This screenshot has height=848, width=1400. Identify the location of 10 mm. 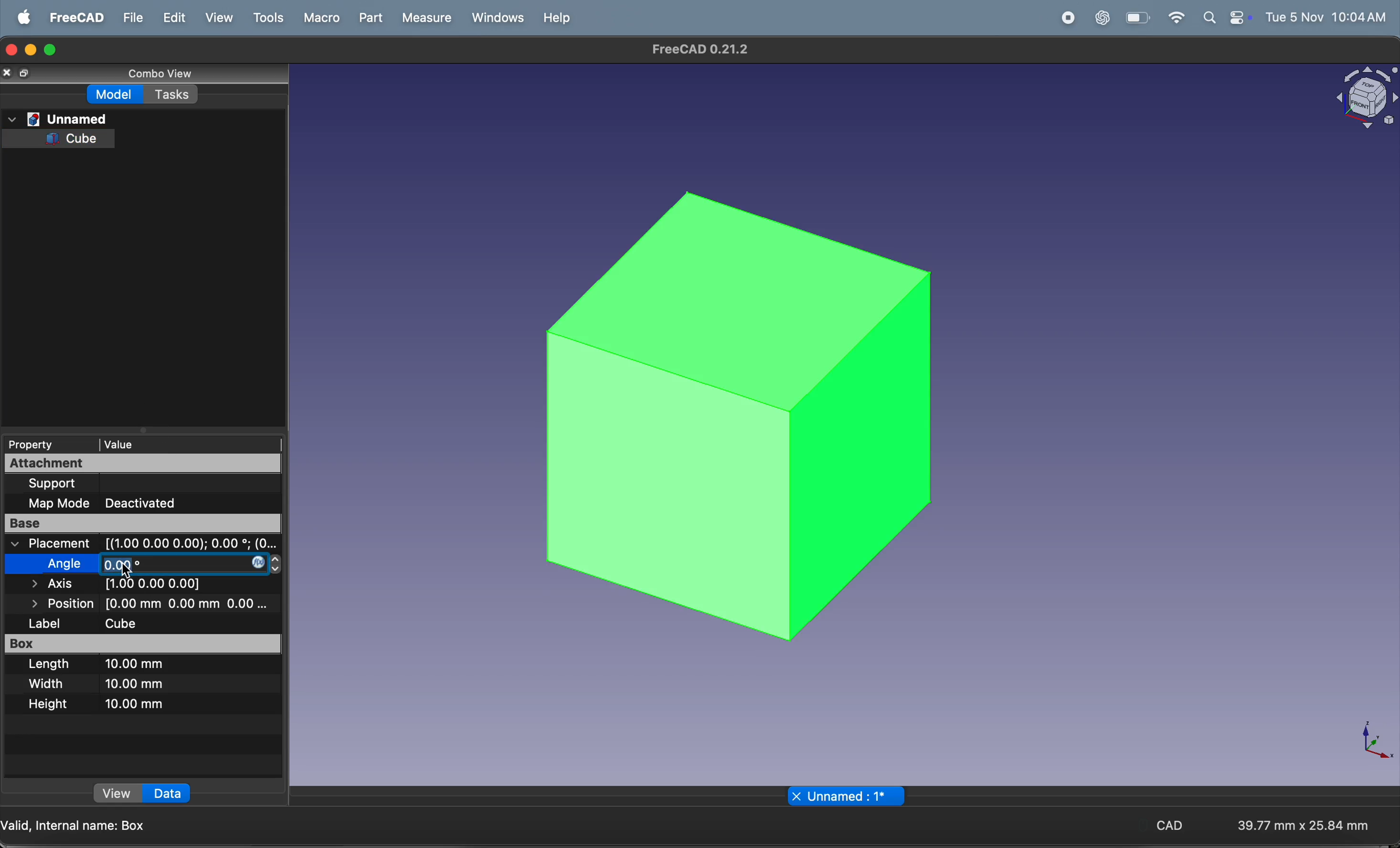
(139, 666).